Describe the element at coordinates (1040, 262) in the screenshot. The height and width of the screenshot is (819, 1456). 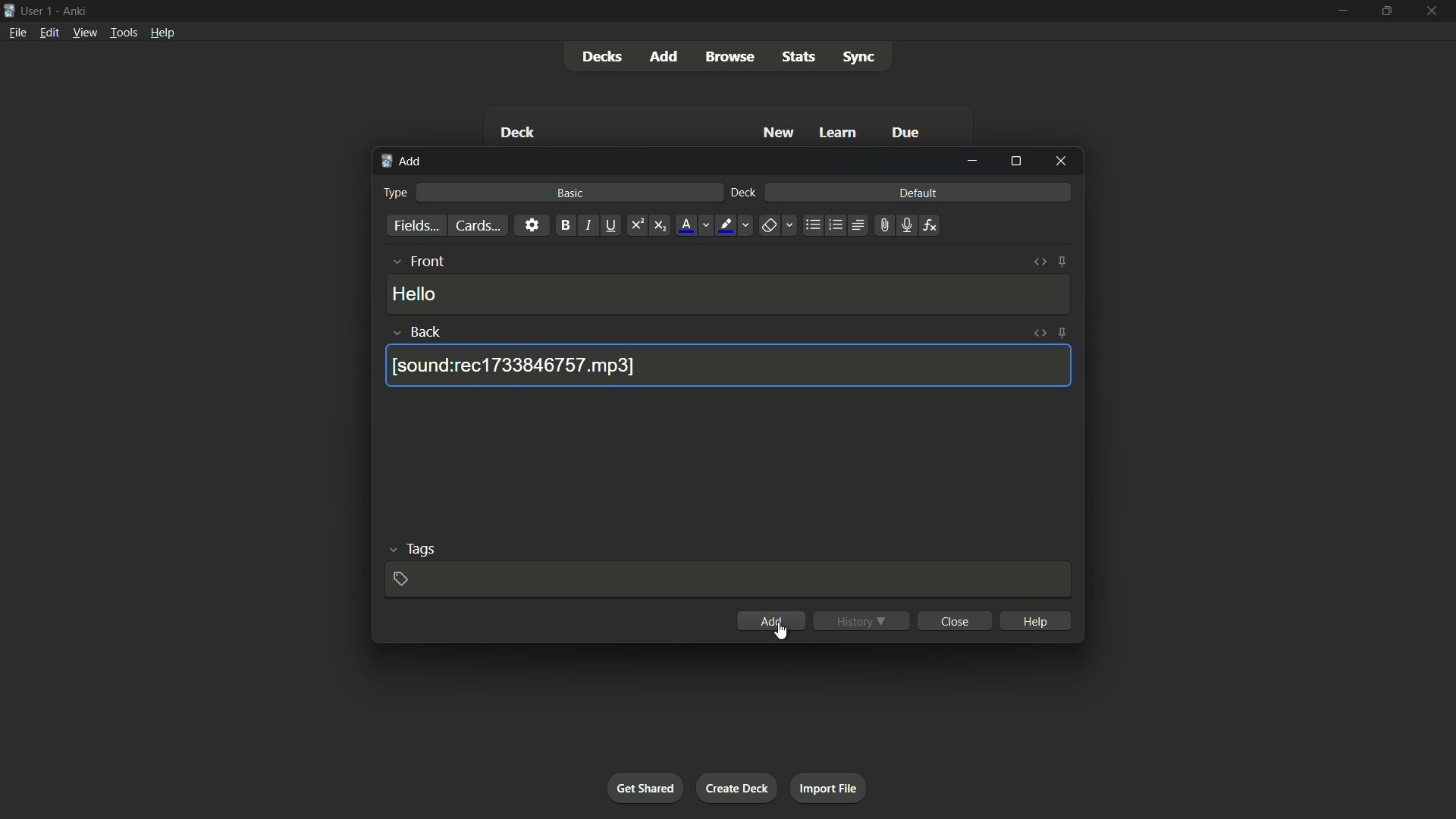
I see `toggle html editor` at that location.